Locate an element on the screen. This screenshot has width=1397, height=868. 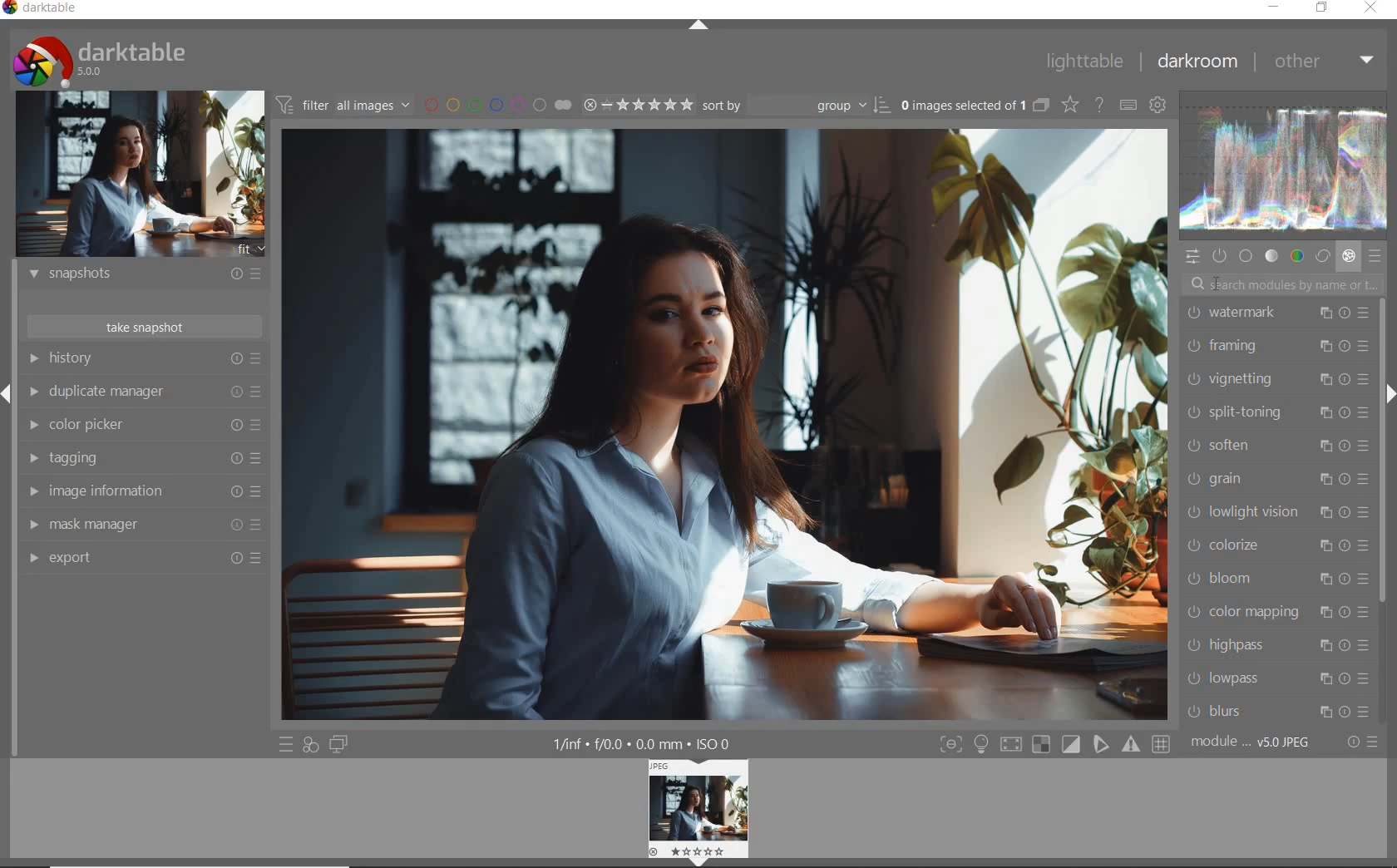
filter by image color is located at coordinates (498, 105).